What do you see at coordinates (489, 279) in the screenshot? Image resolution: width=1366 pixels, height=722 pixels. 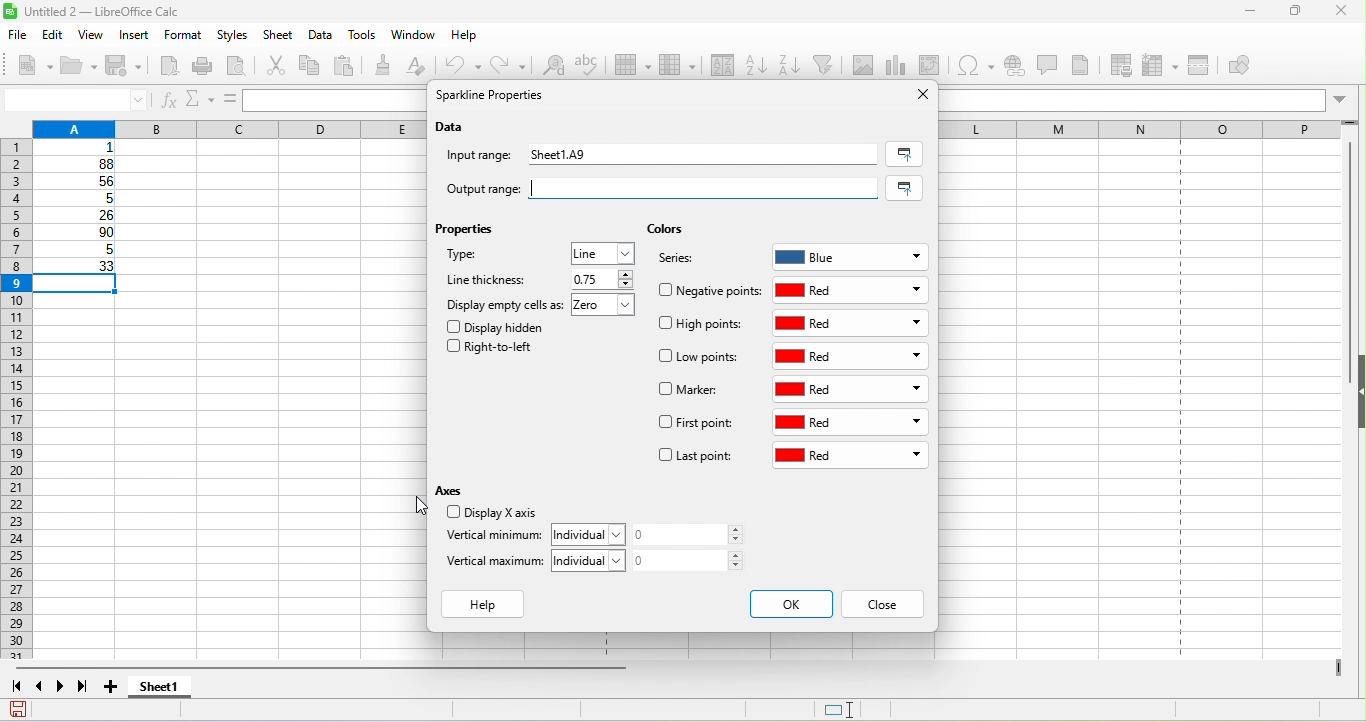 I see `line thickness` at bounding box center [489, 279].